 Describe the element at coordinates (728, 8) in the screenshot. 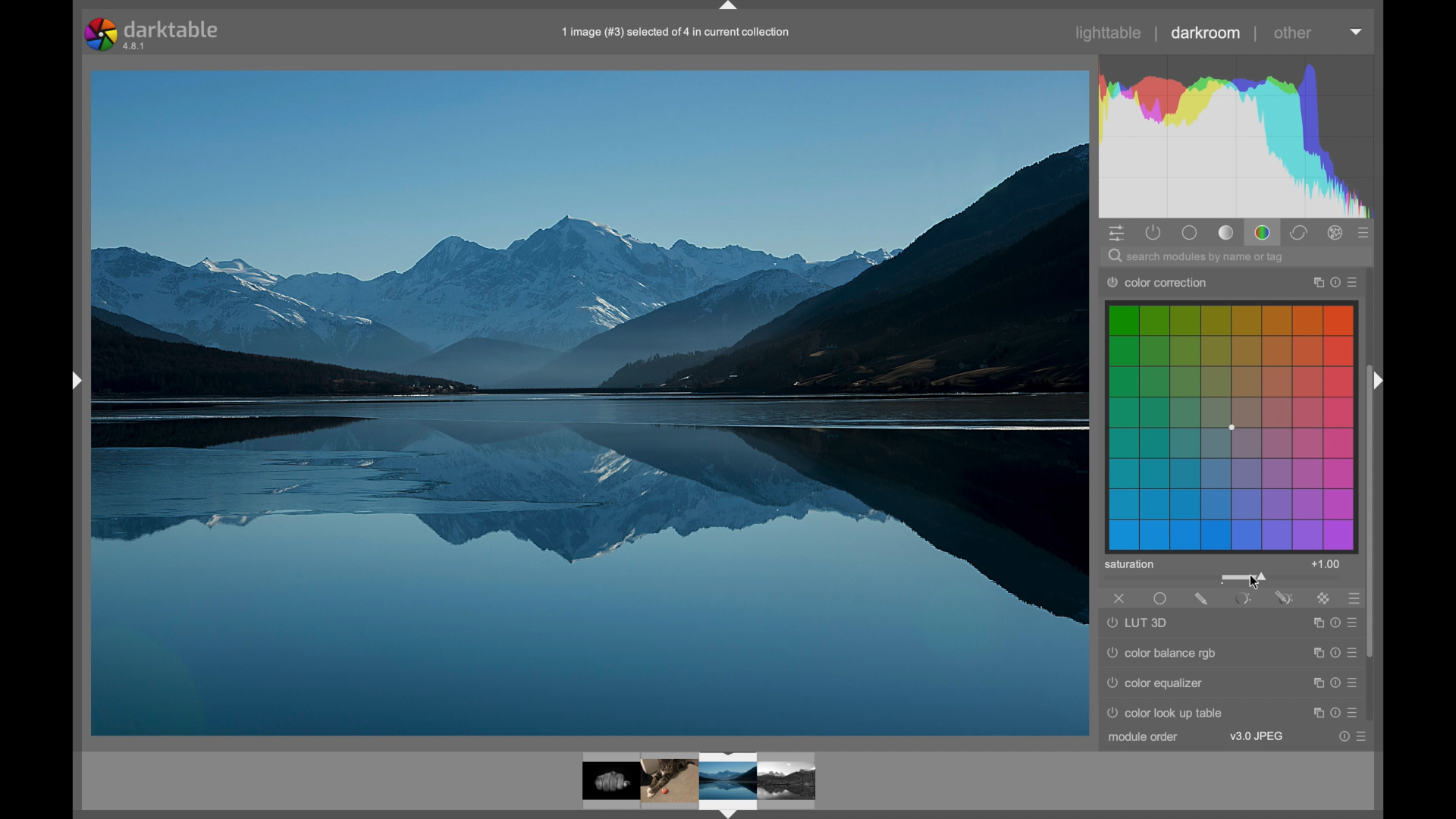

I see `drag handle` at that location.